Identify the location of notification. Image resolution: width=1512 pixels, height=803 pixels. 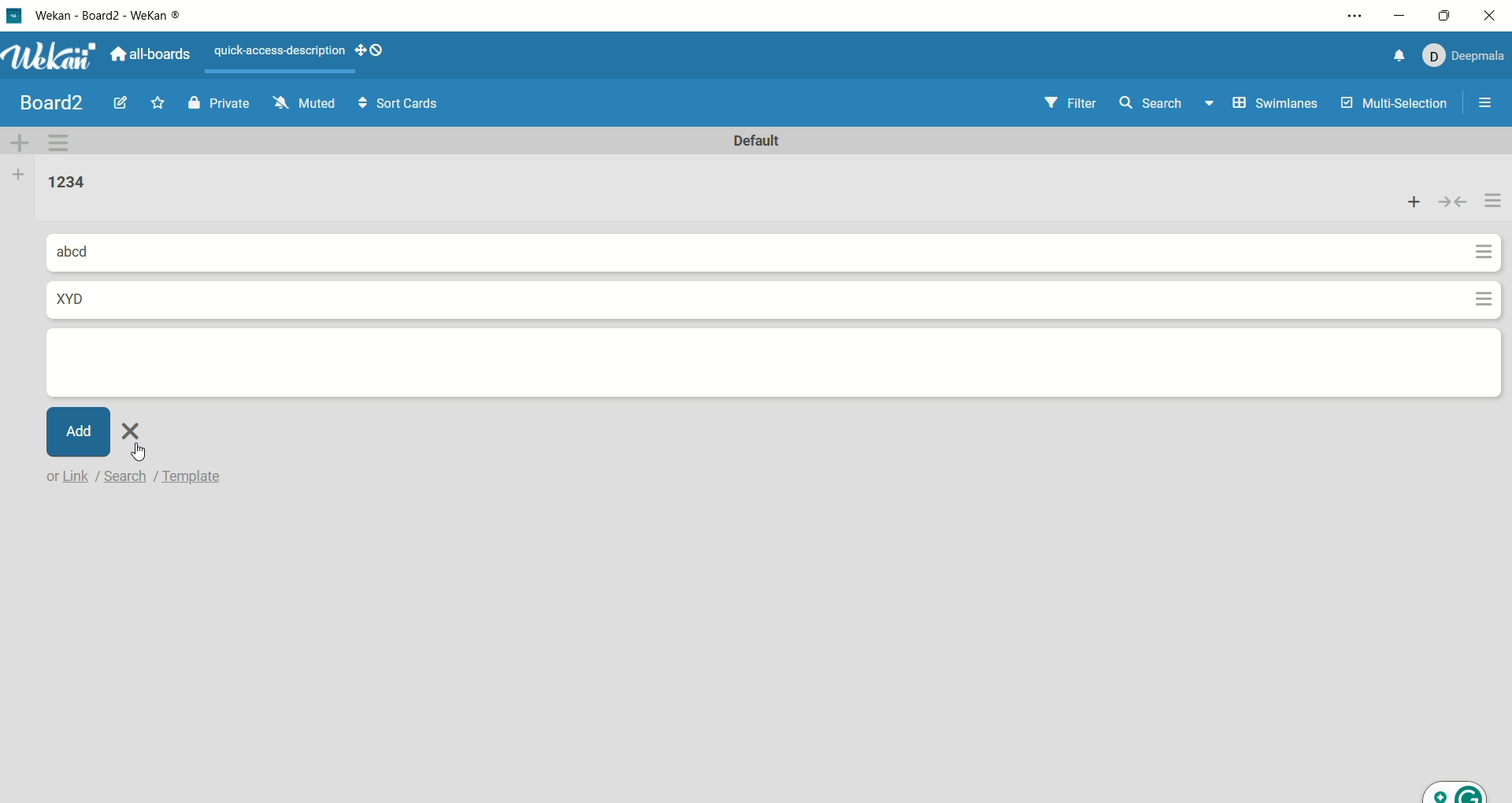
(1393, 56).